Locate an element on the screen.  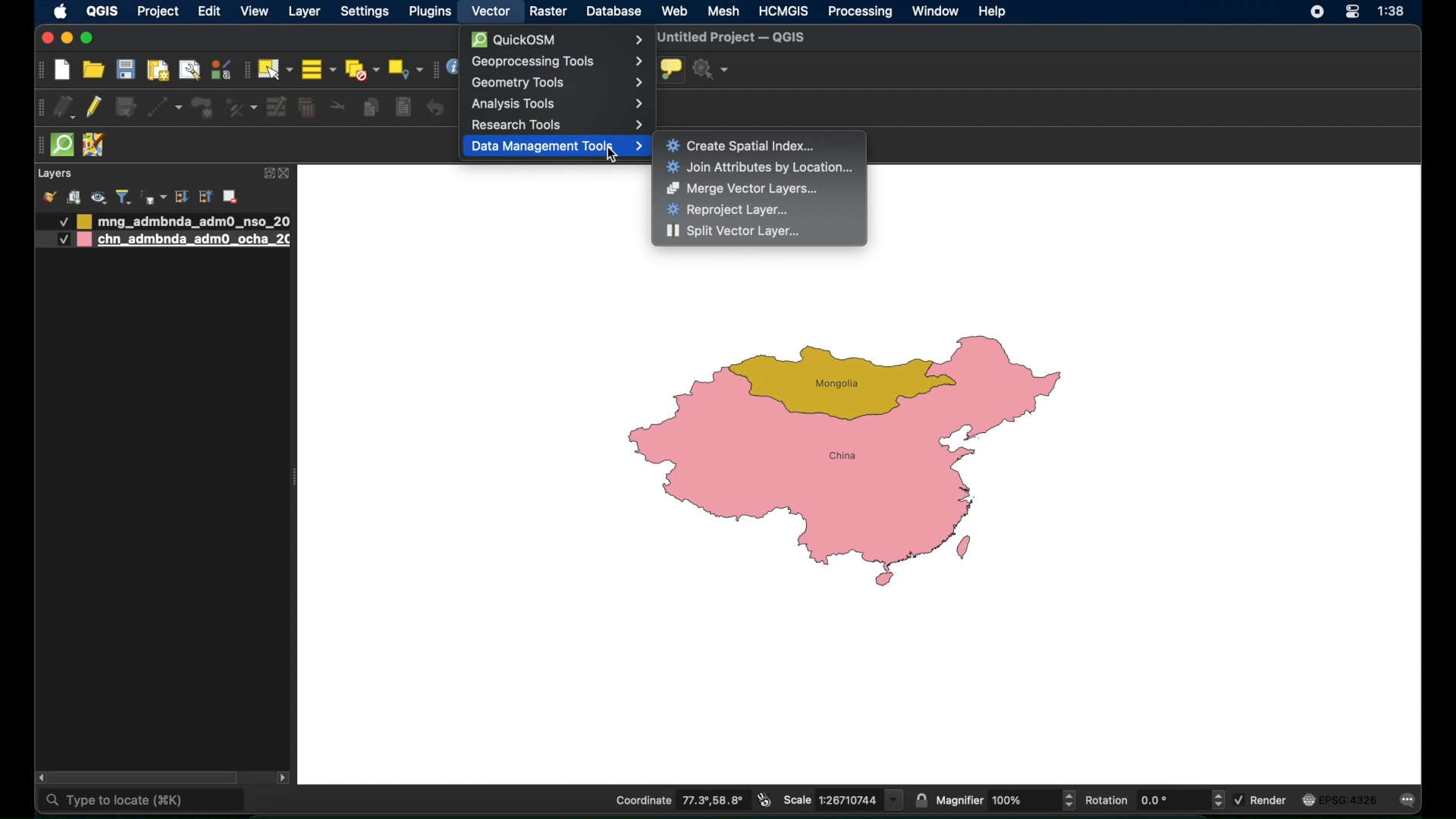
print layout is located at coordinates (157, 71).